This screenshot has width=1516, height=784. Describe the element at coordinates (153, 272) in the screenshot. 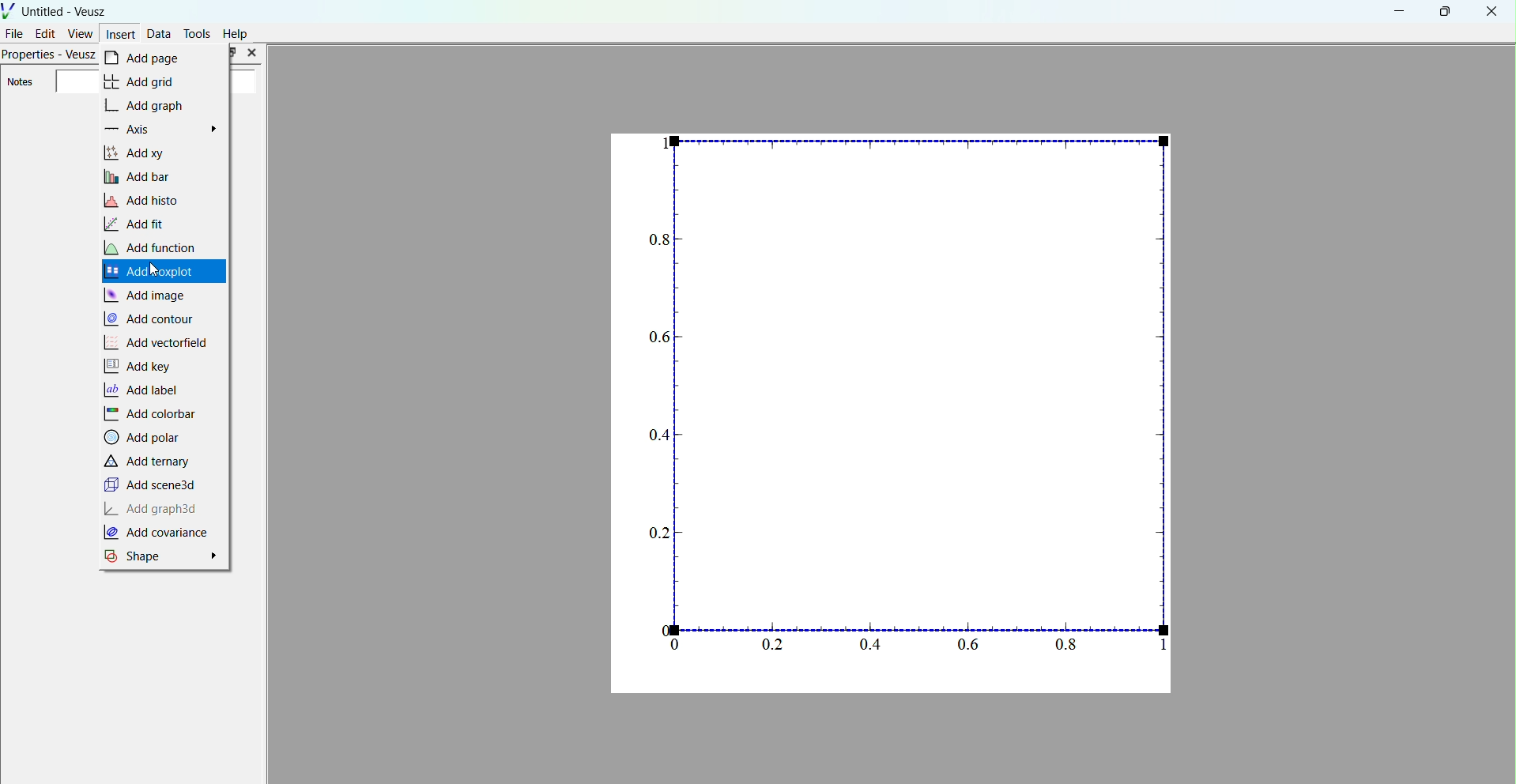

I see `Add Roxplot` at that location.